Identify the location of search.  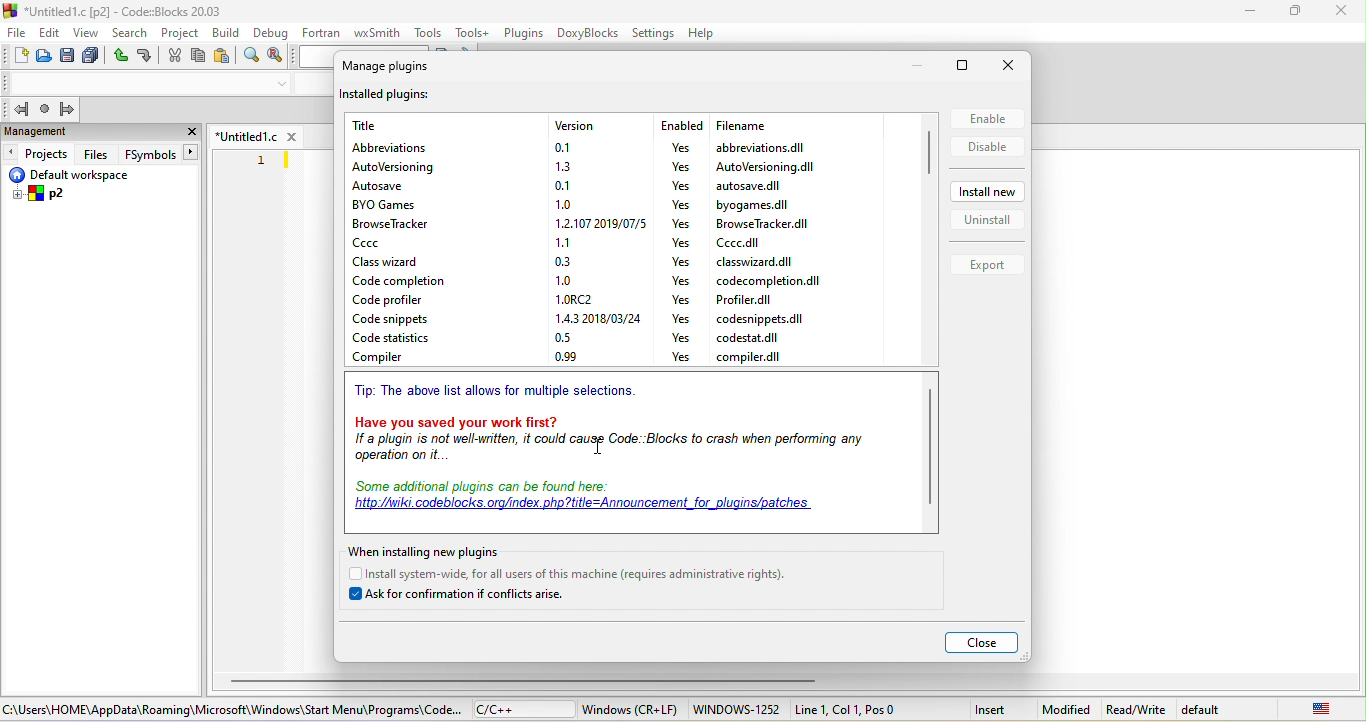
(131, 30).